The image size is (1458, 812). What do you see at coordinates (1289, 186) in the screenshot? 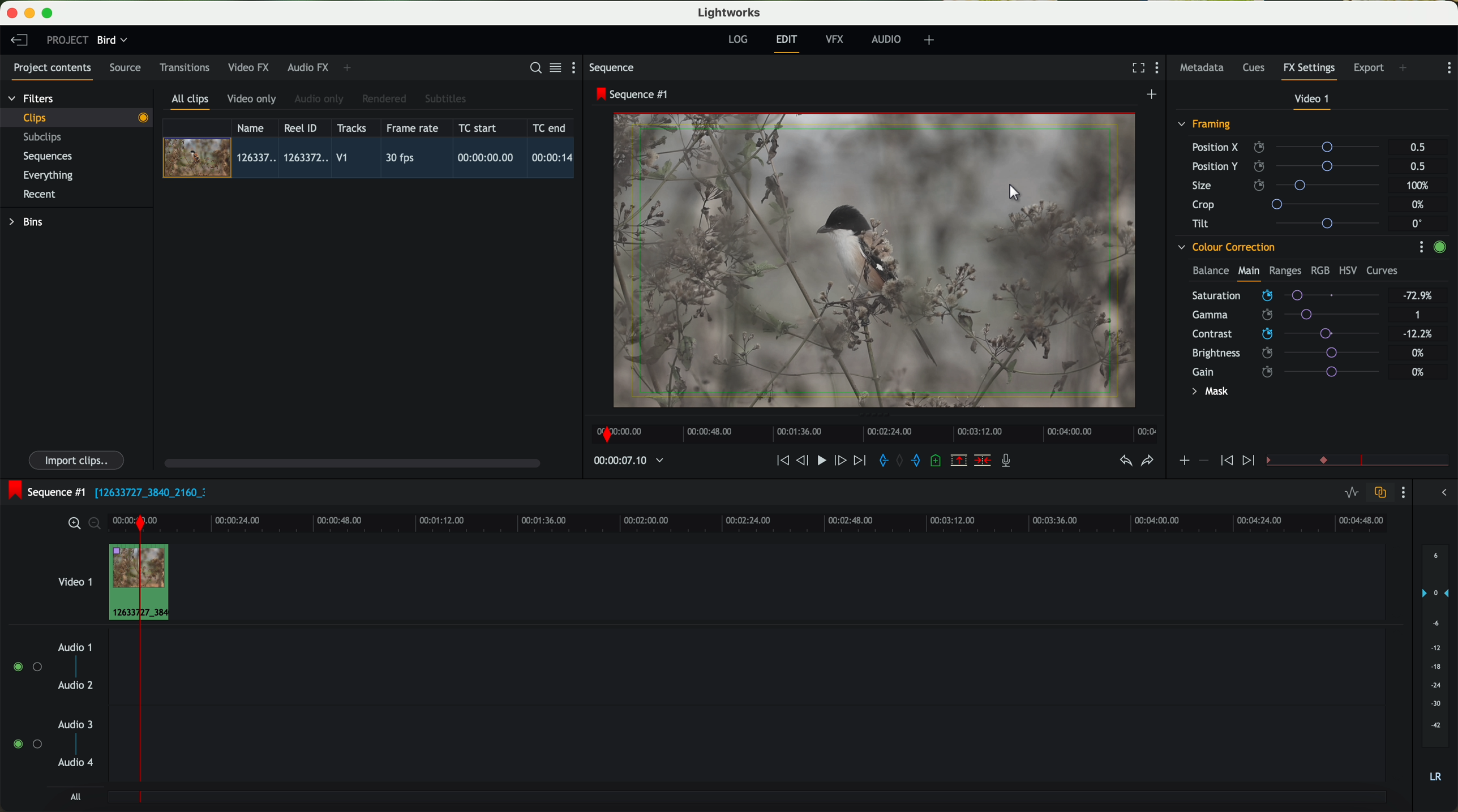
I see `size` at bounding box center [1289, 186].